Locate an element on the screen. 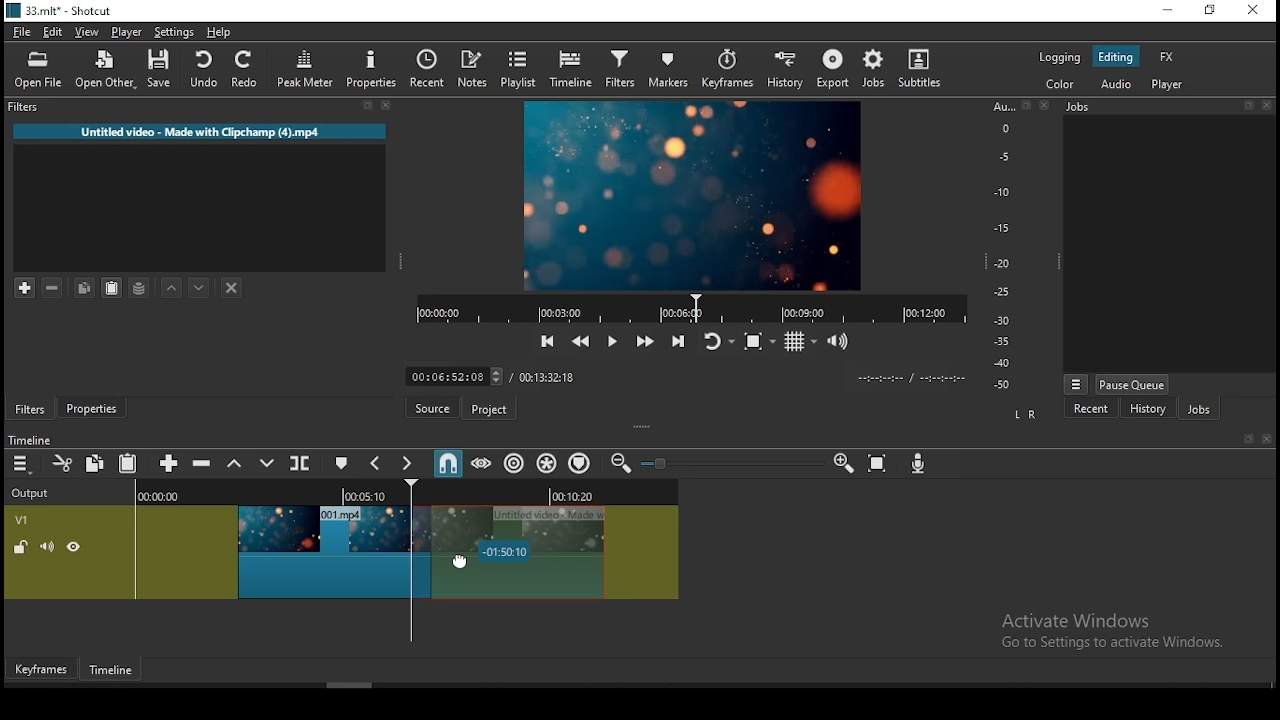 The height and width of the screenshot is (720, 1280). scroll bar is located at coordinates (351, 684).